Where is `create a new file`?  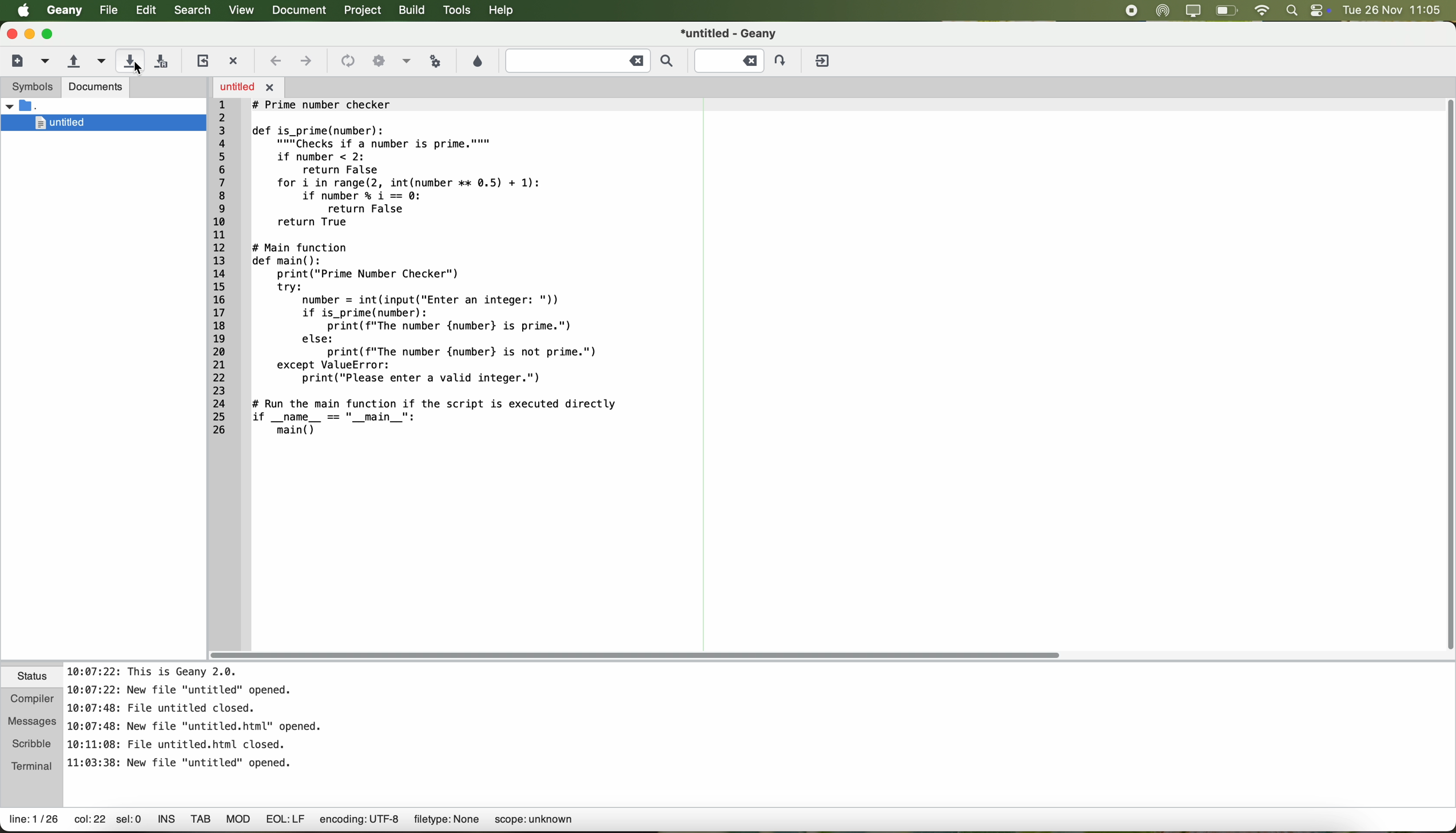 create a new file is located at coordinates (17, 61).